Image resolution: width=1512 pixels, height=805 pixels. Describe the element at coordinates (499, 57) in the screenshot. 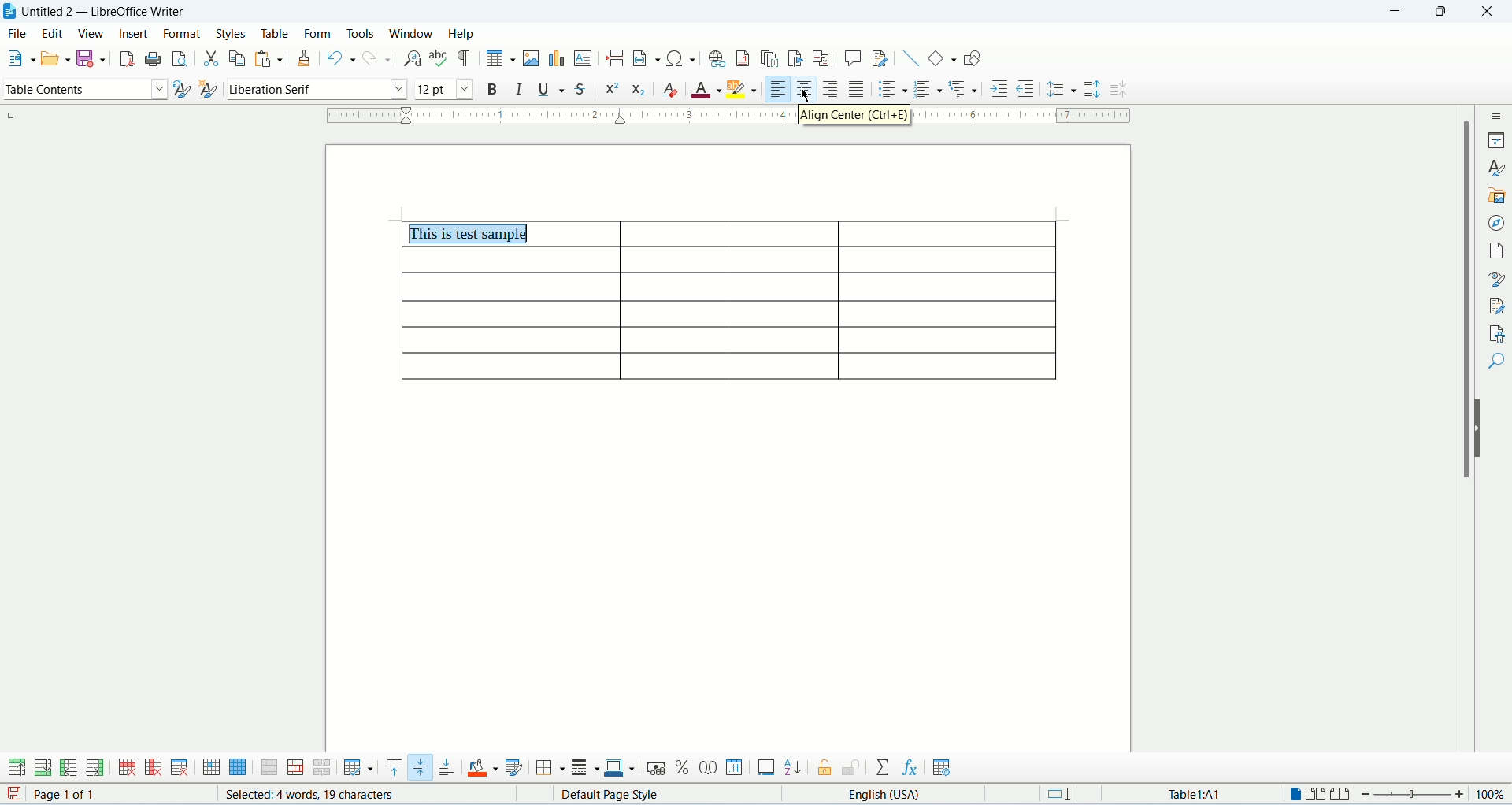

I see `insert table` at that location.